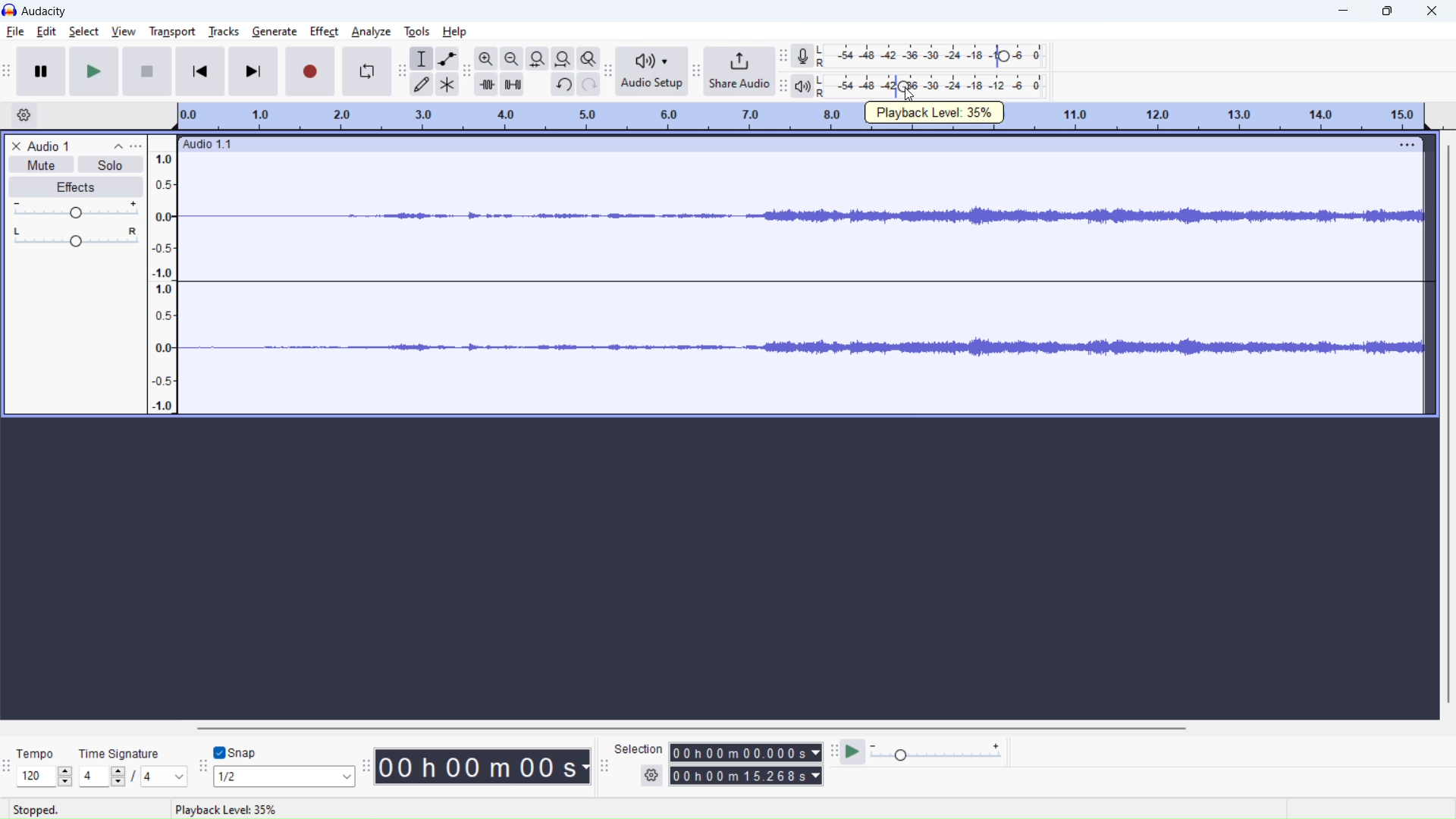 This screenshot has height=819, width=1456. I want to click on recording meter, so click(783, 56).